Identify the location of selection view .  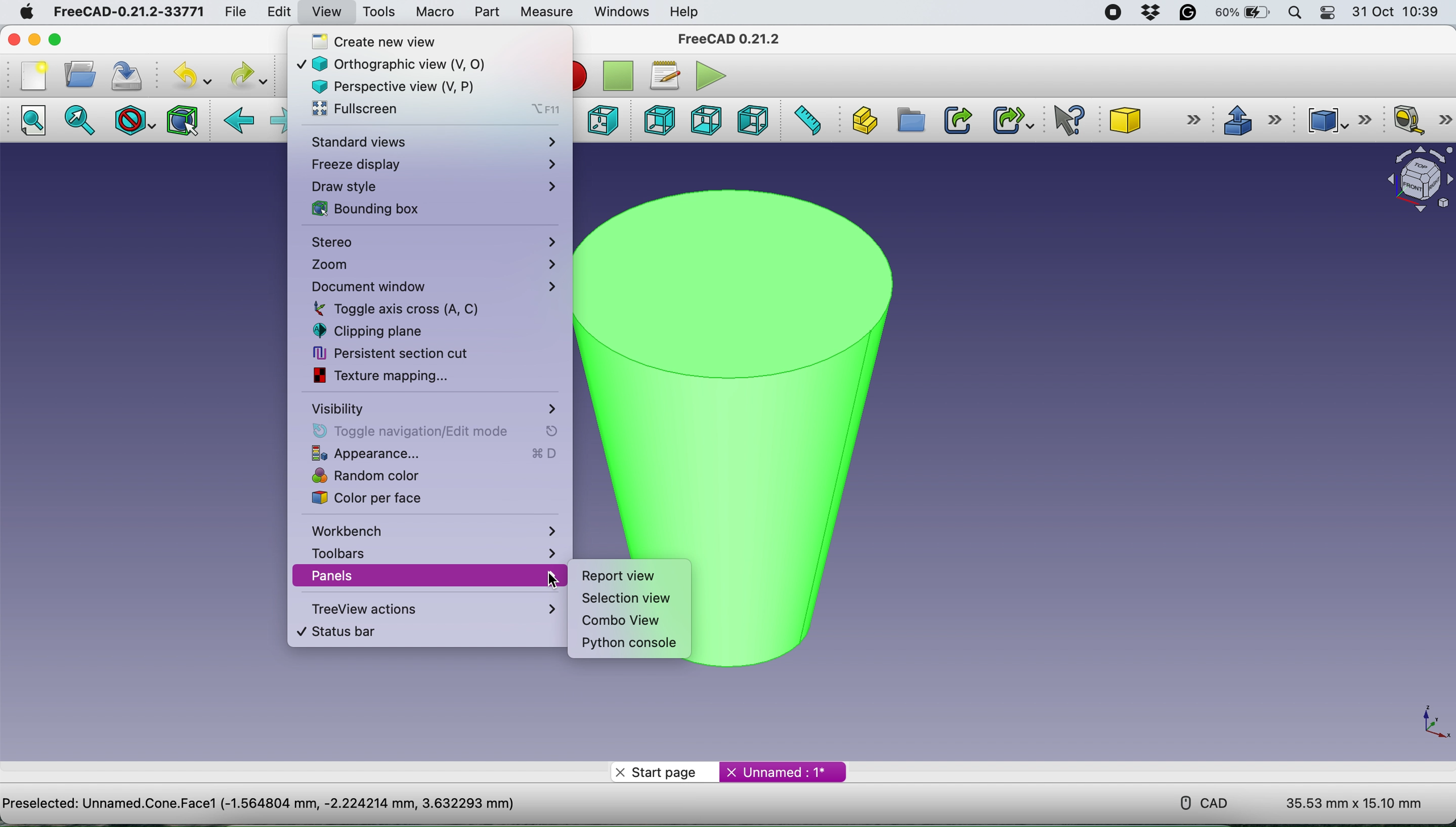
(627, 598).